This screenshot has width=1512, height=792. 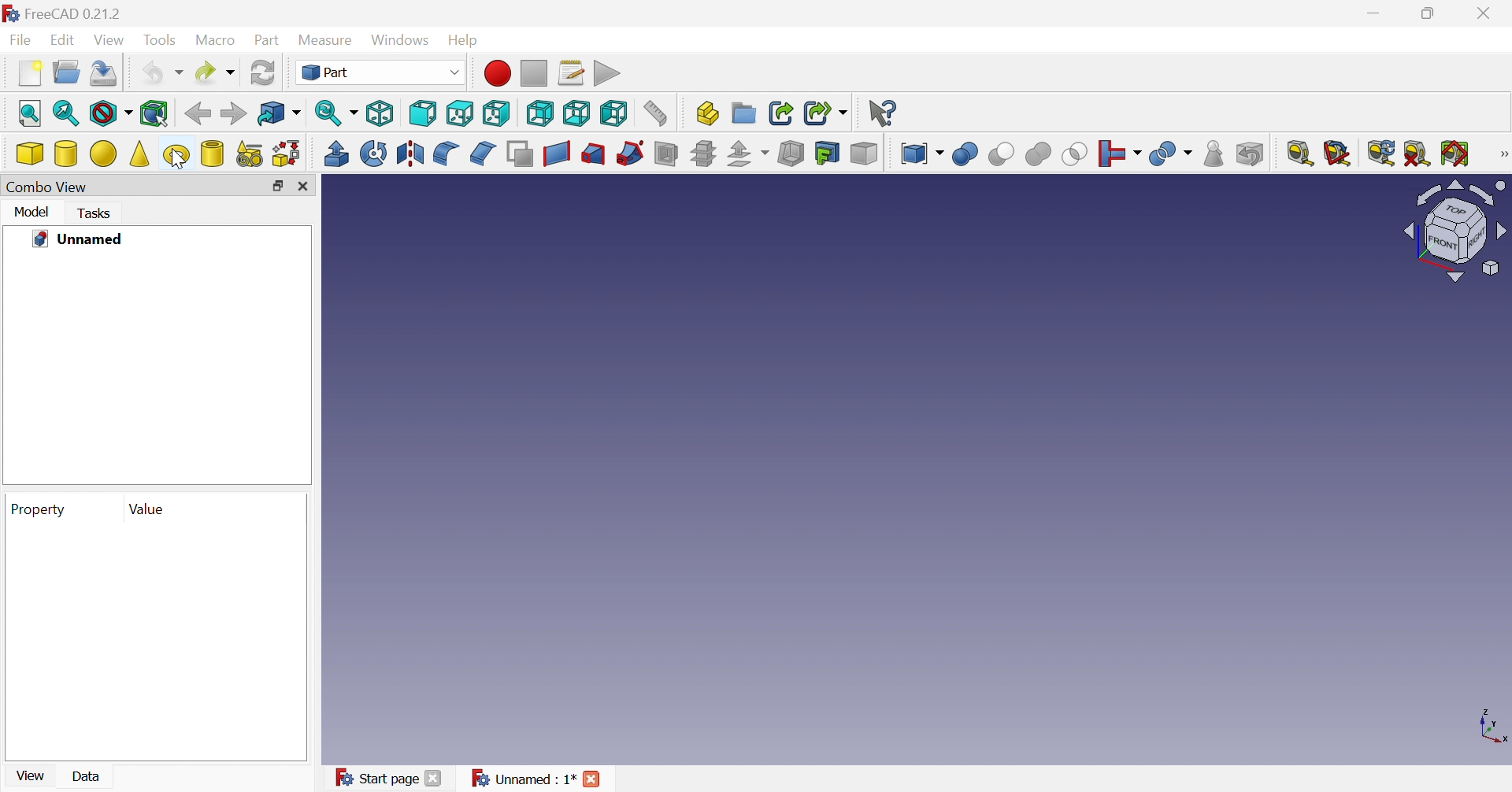 What do you see at coordinates (20, 41) in the screenshot?
I see `File` at bounding box center [20, 41].